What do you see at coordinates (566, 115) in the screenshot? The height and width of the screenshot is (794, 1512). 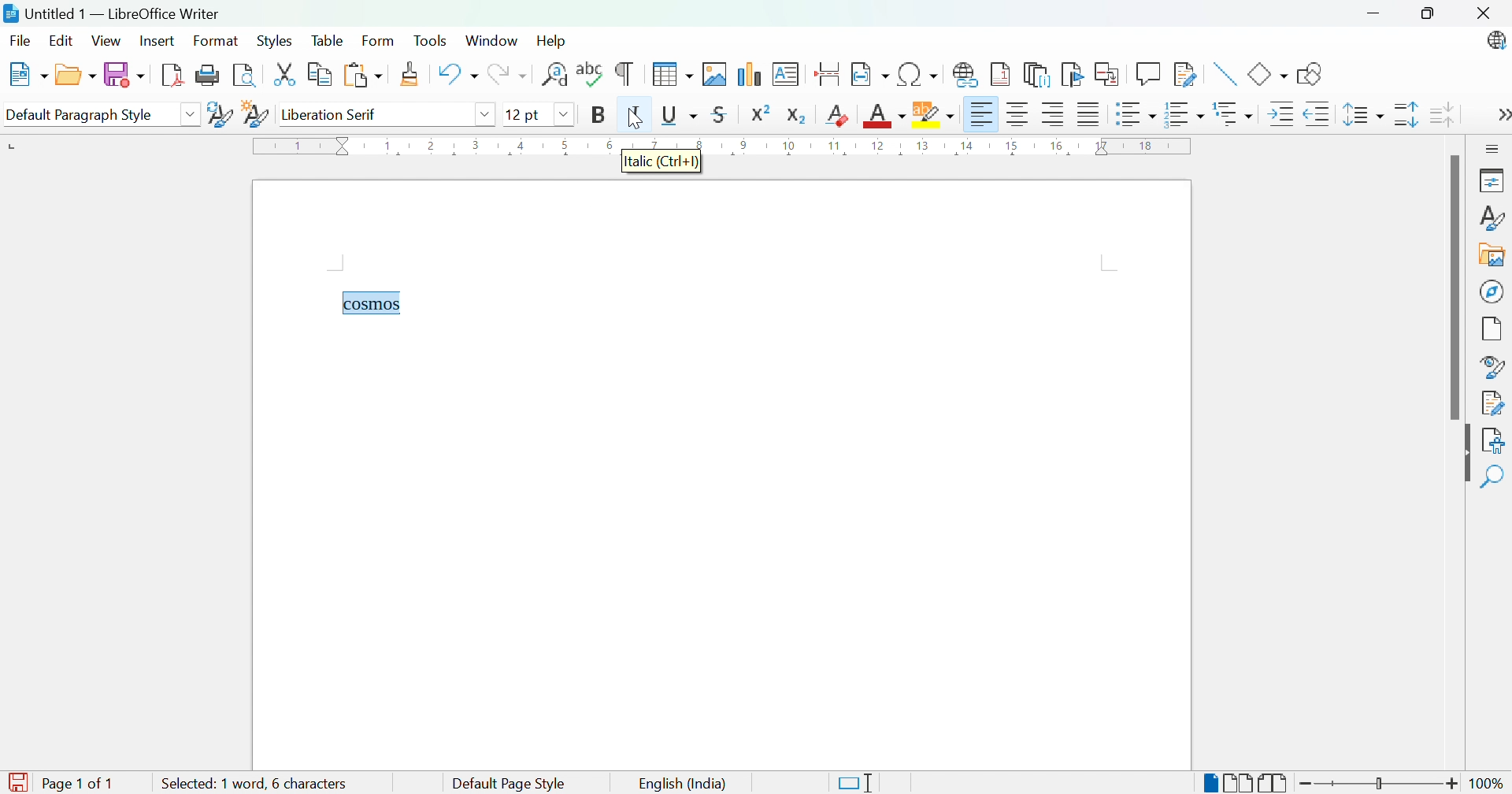 I see `Drop down` at bounding box center [566, 115].